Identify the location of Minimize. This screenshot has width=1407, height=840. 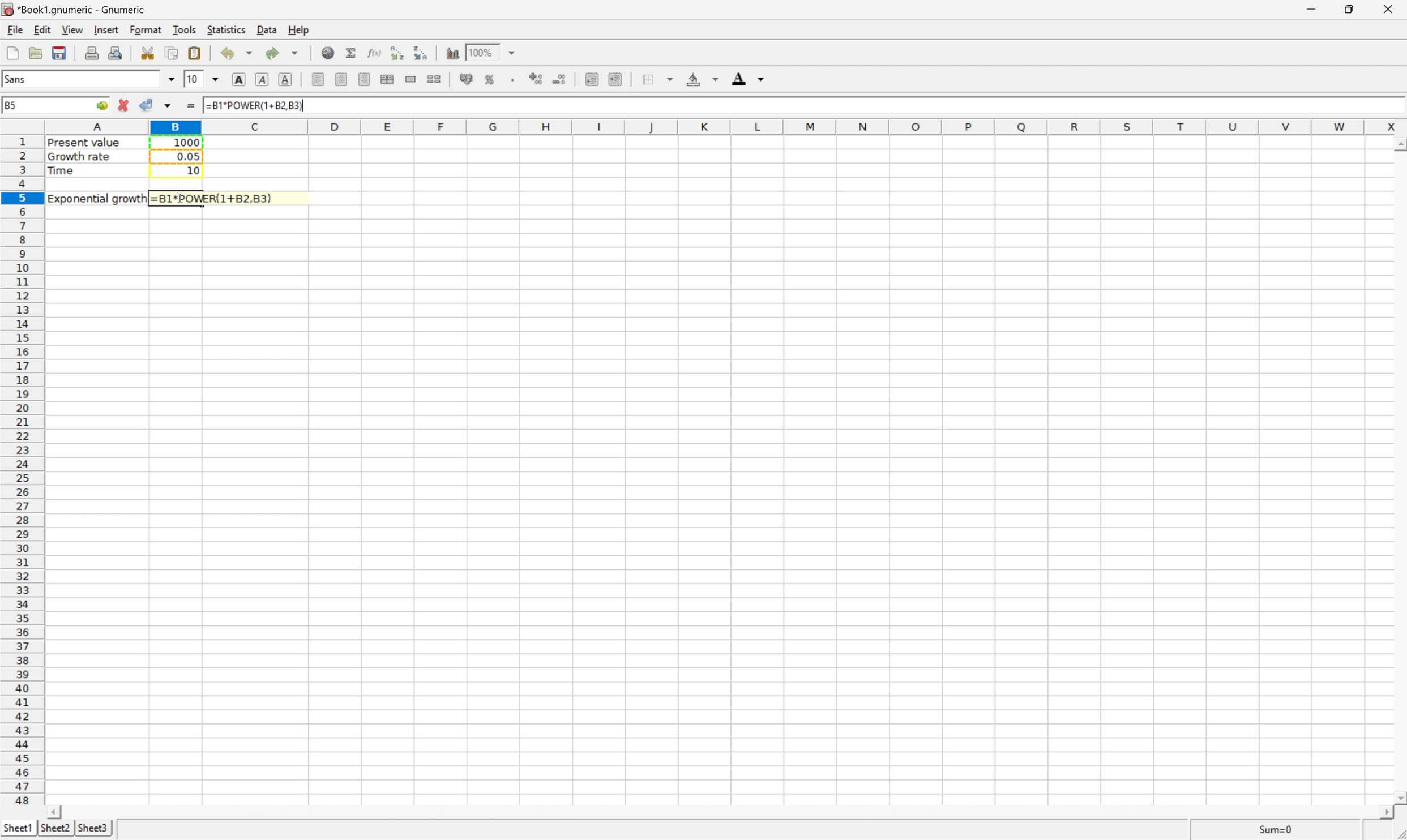
(1311, 10).